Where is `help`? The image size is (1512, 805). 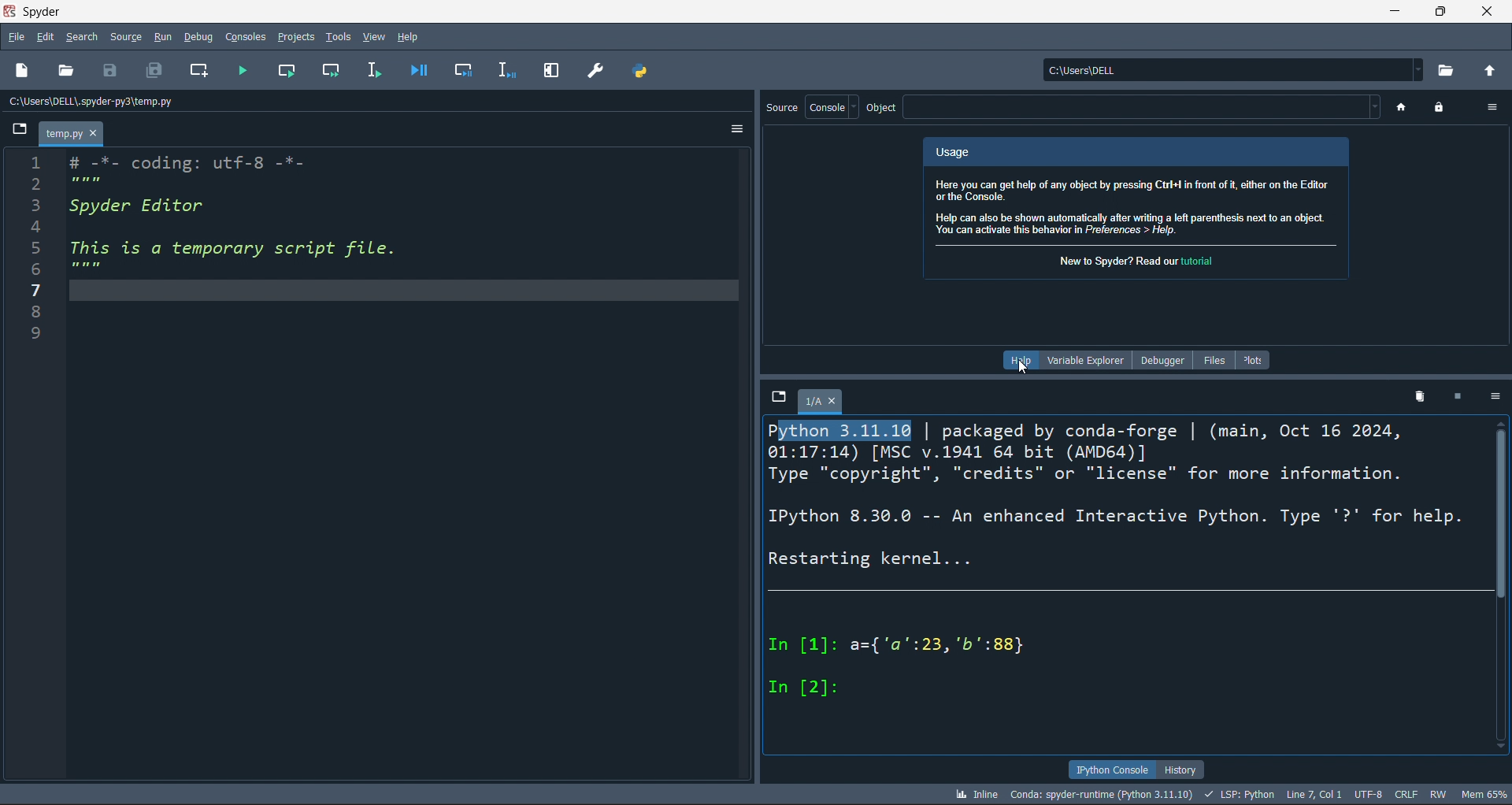 help is located at coordinates (1017, 361).